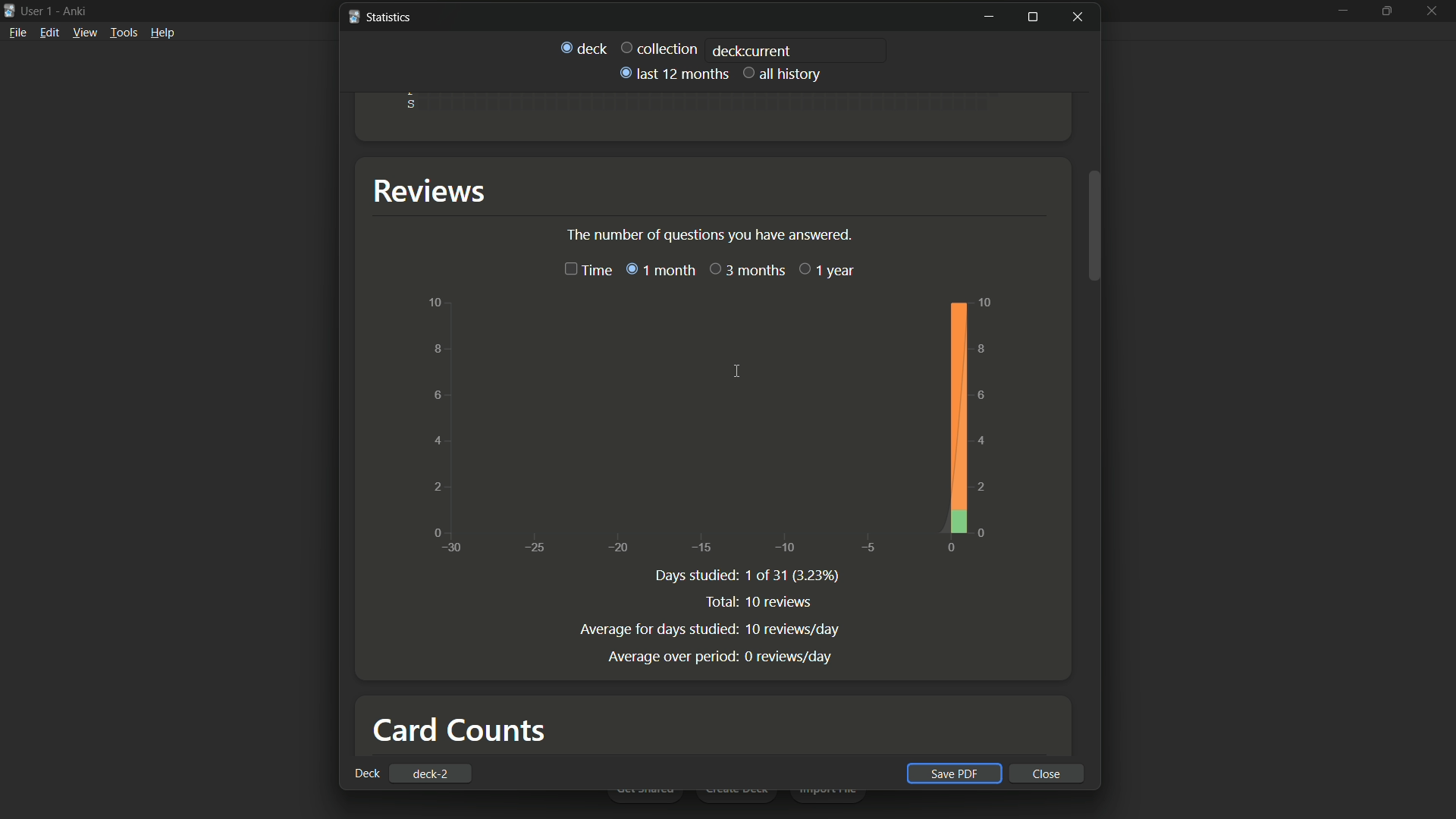 Image resolution: width=1456 pixels, height=819 pixels. Describe the element at coordinates (433, 773) in the screenshot. I see `Deck 2` at that location.